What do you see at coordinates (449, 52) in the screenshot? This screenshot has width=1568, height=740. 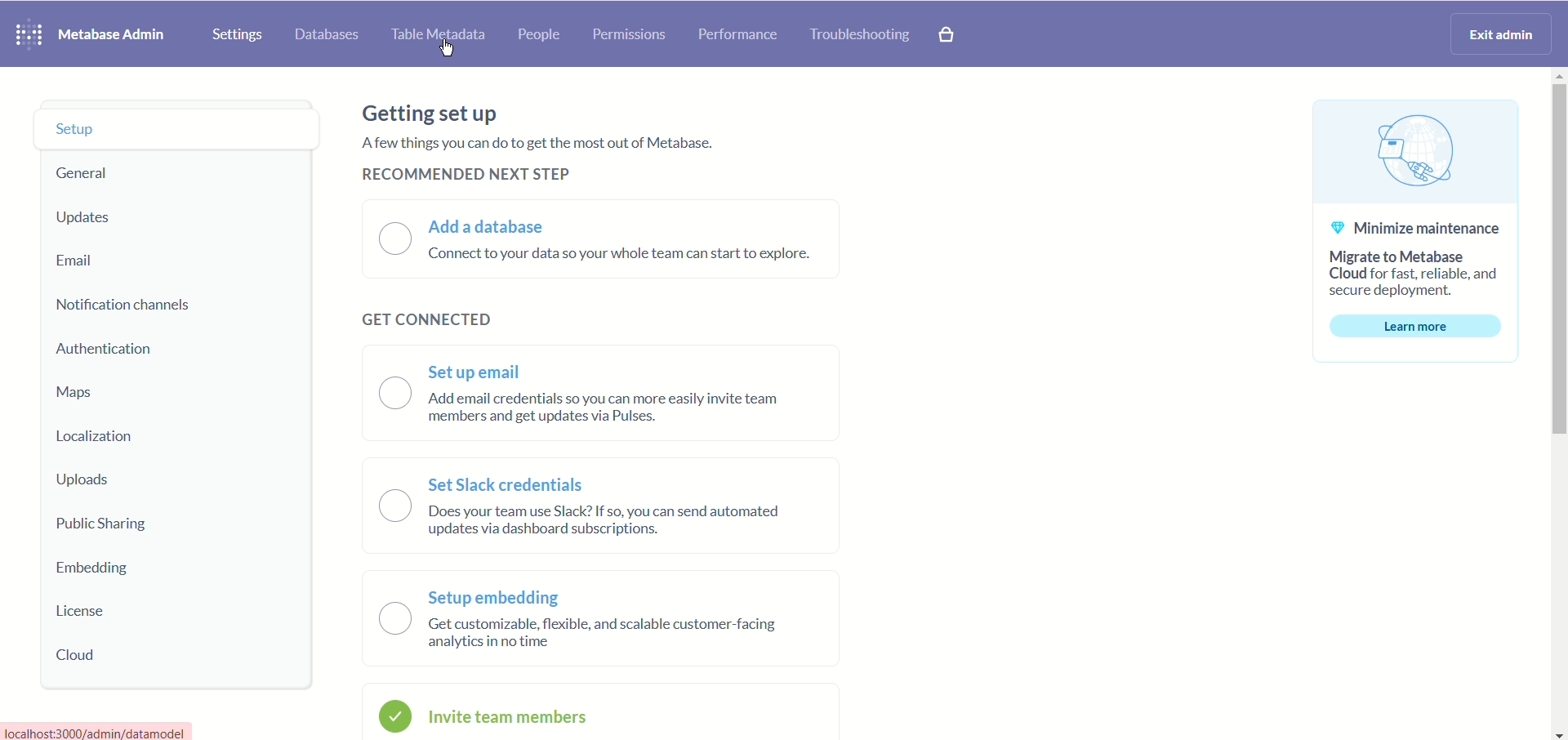 I see `cursor` at bounding box center [449, 52].